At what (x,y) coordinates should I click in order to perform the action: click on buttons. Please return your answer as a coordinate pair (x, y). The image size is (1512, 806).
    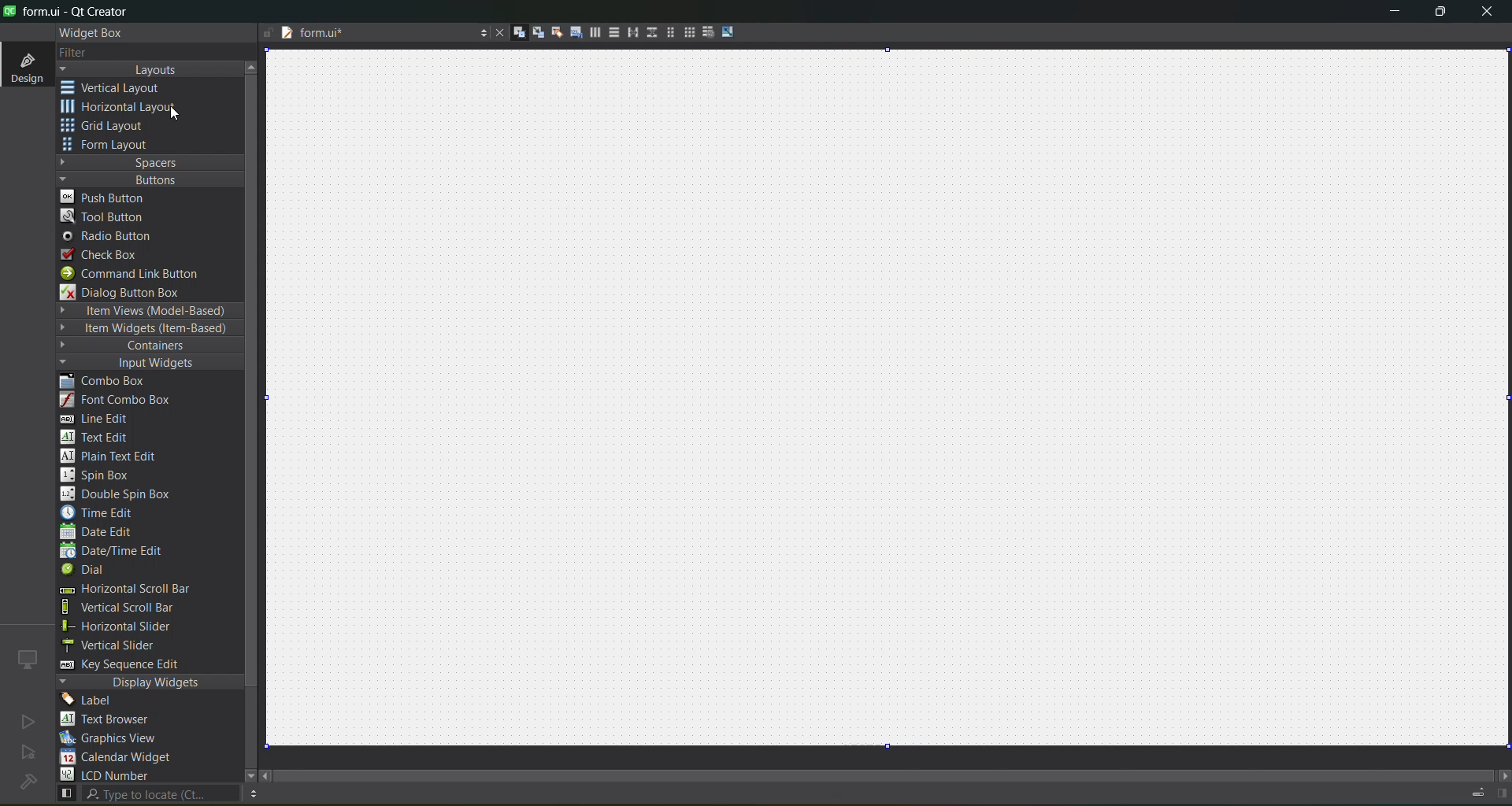
    Looking at the image, I should click on (146, 179).